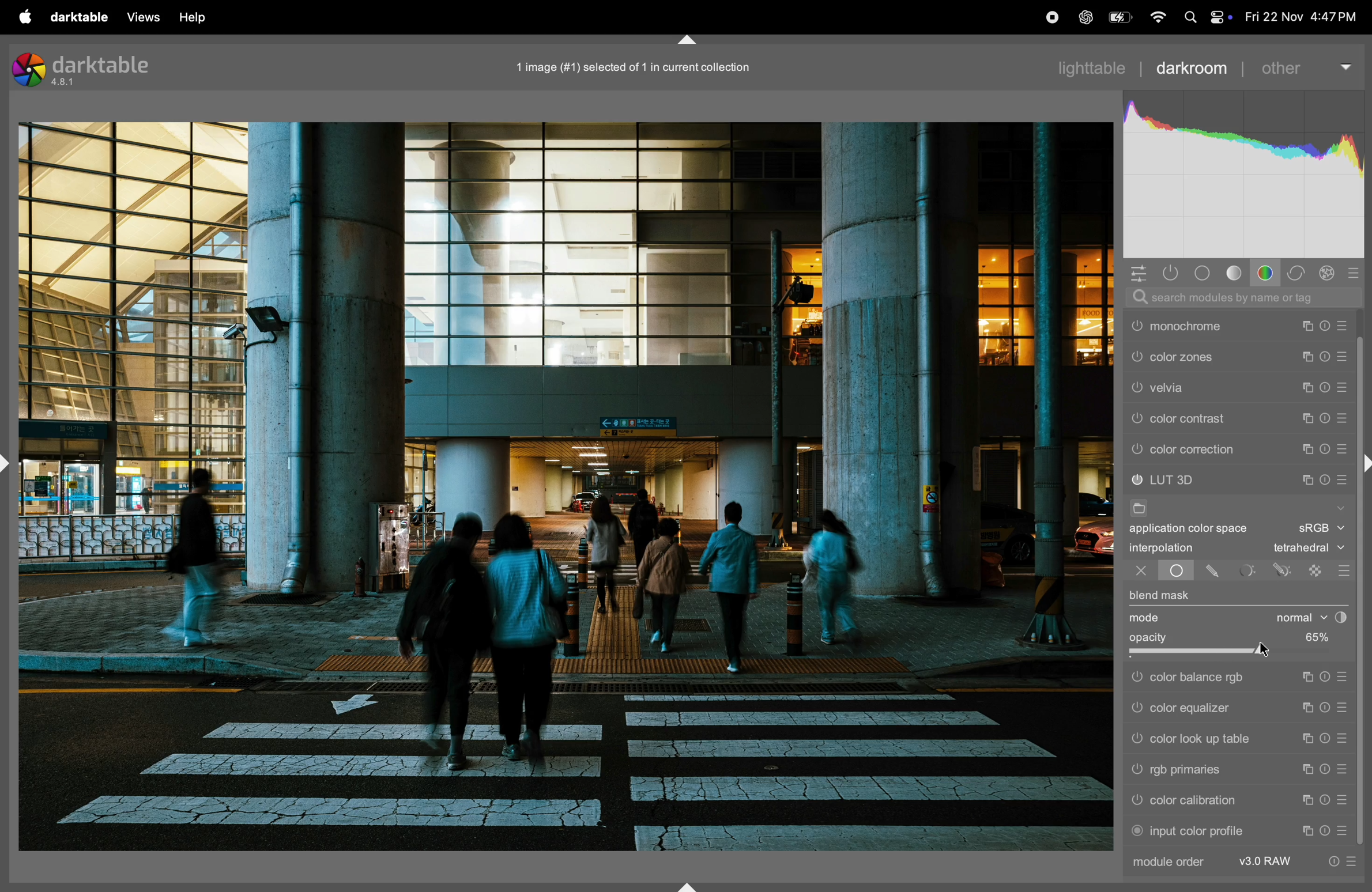 The width and height of the screenshot is (1372, 892). Describe the element at coordinates (1268, 862) in the screenshot. I see `v3 raw` at that location.